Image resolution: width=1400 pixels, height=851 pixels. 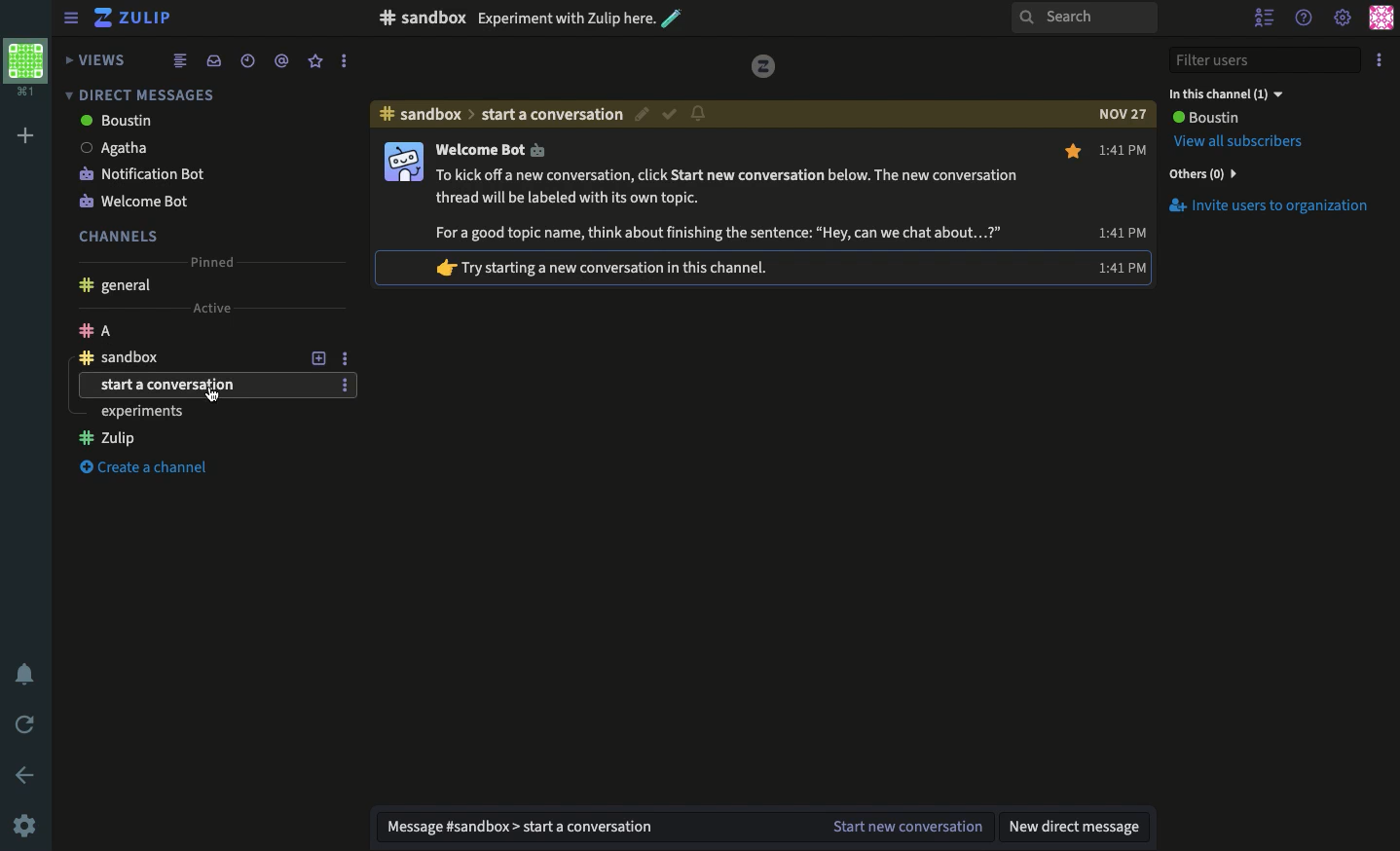 I want to click on Filter users, so click(x=1266, y=61).